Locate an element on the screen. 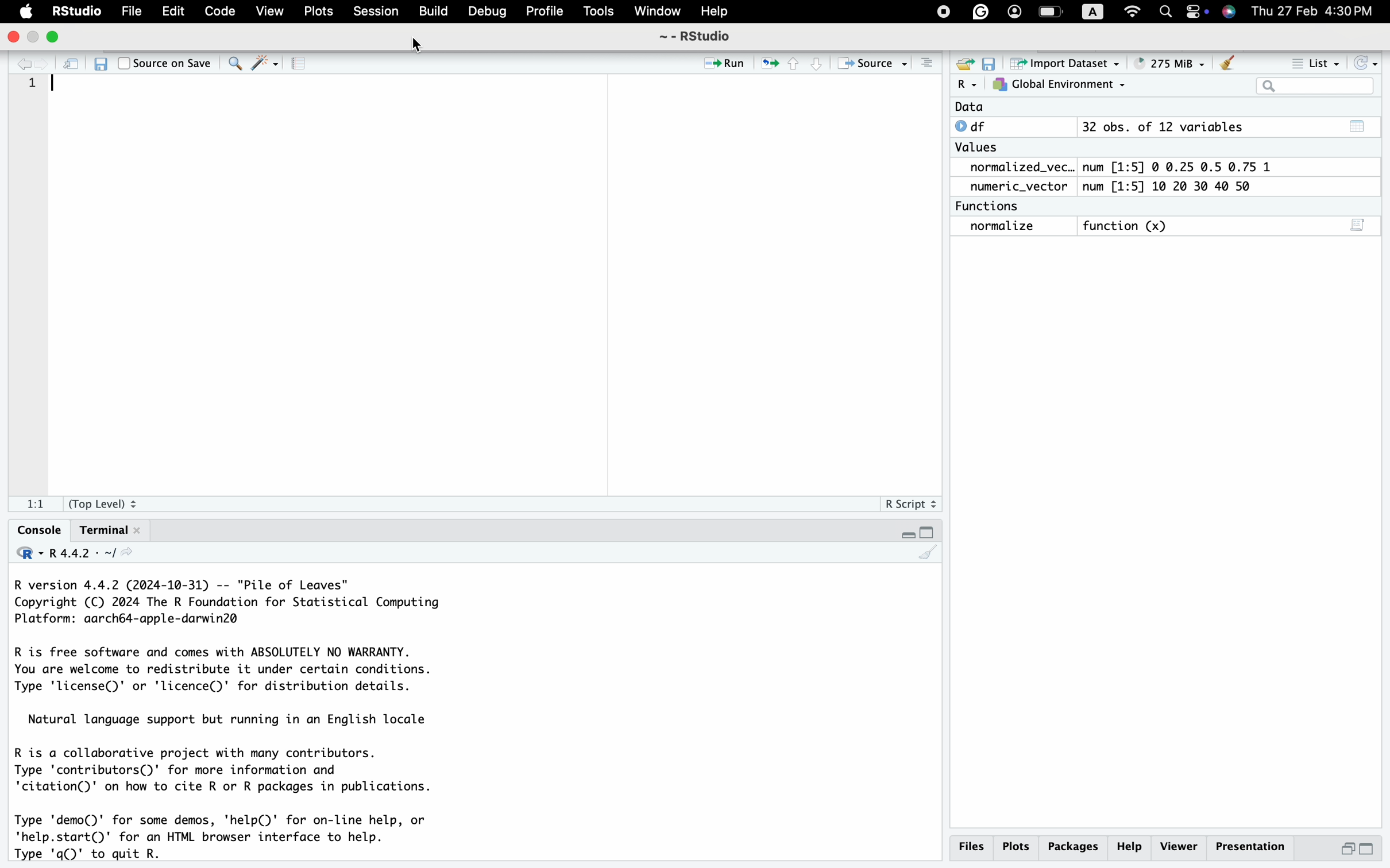  R 4.4.2 . ~/ is located at coordinates (82, 555).